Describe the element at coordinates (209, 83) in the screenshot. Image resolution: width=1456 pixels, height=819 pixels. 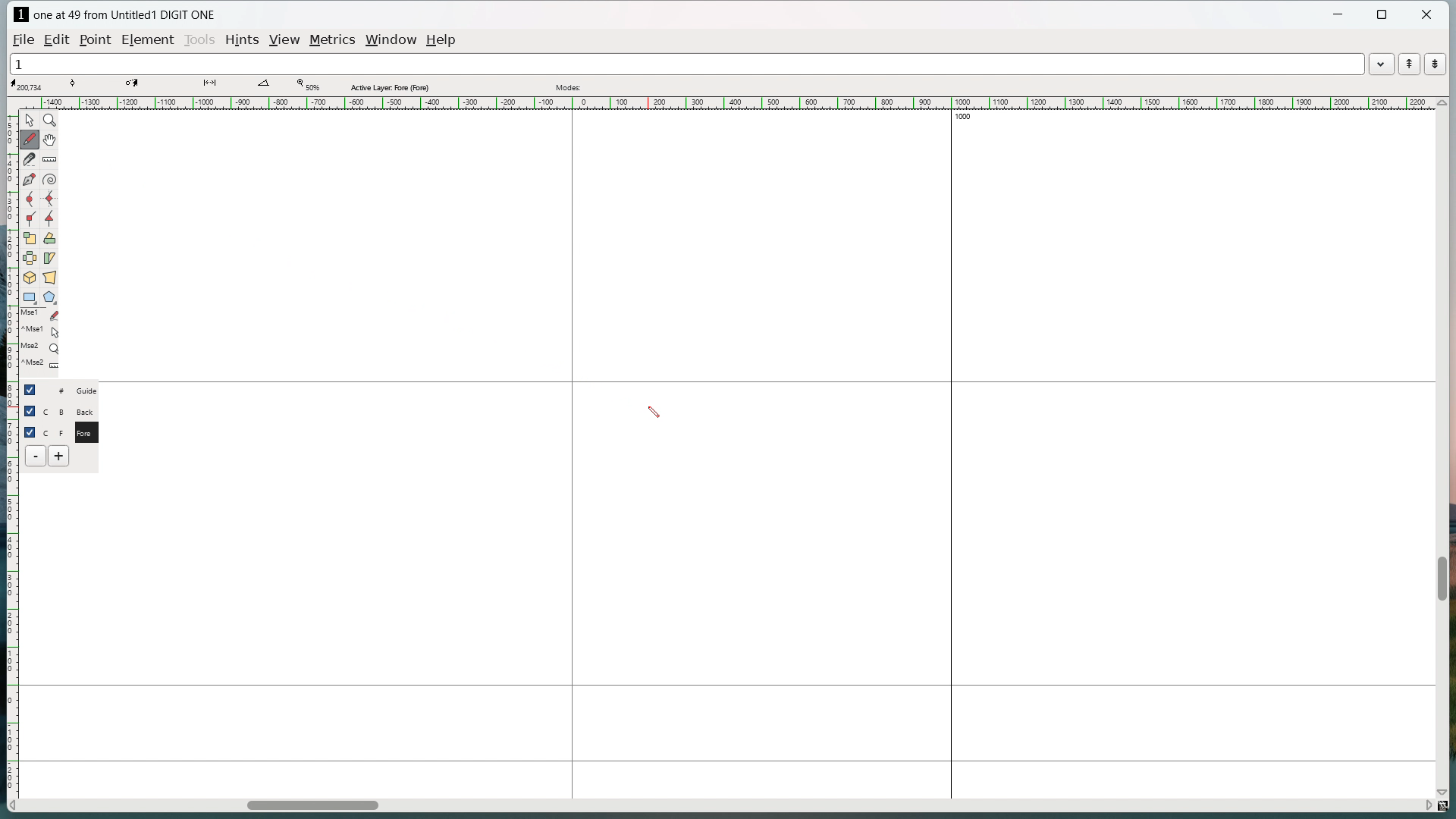
I see `distance between points` at that location.